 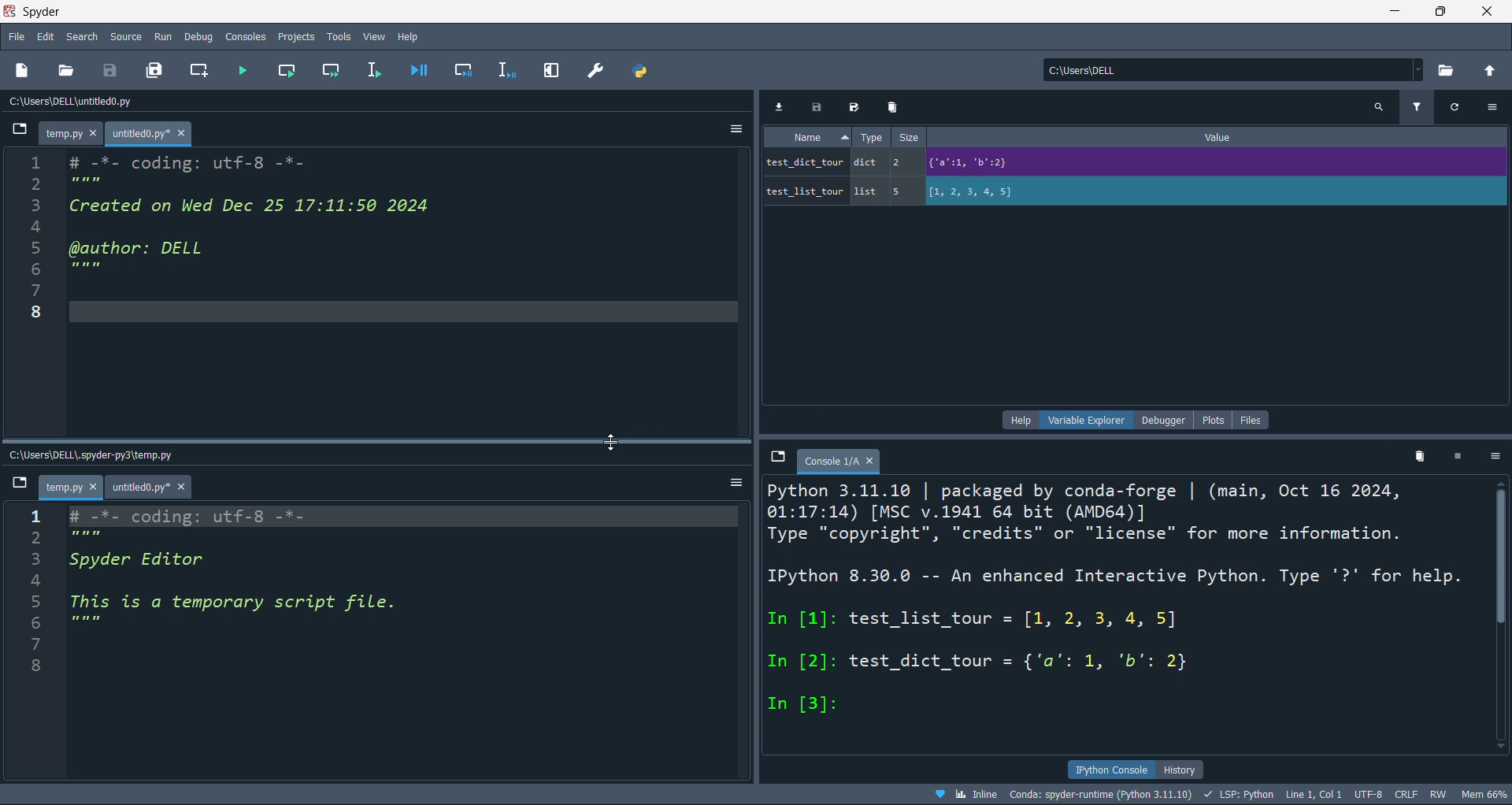 What do you see at coordinates (838, 460) in the screenshot?
I see `Console.1/A` at bounding box center [838, 460].